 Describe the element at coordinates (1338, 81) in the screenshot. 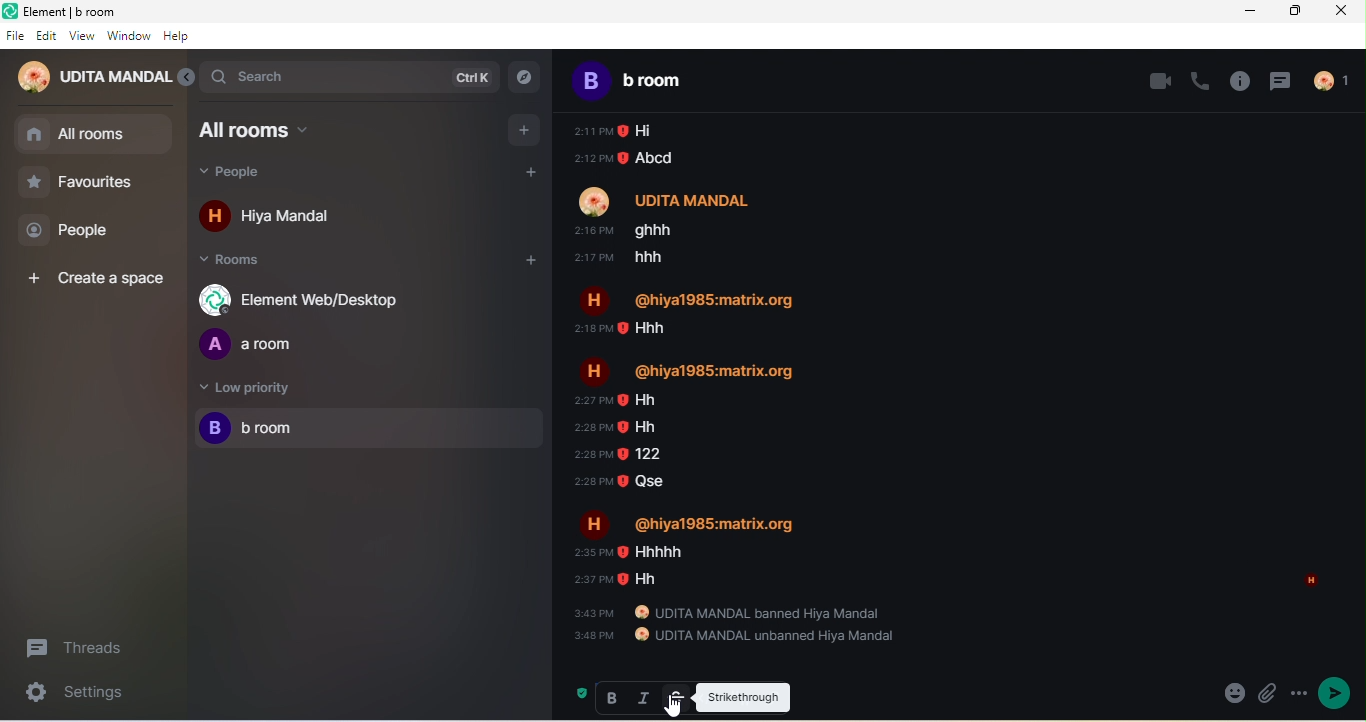

I see `people` at that location.